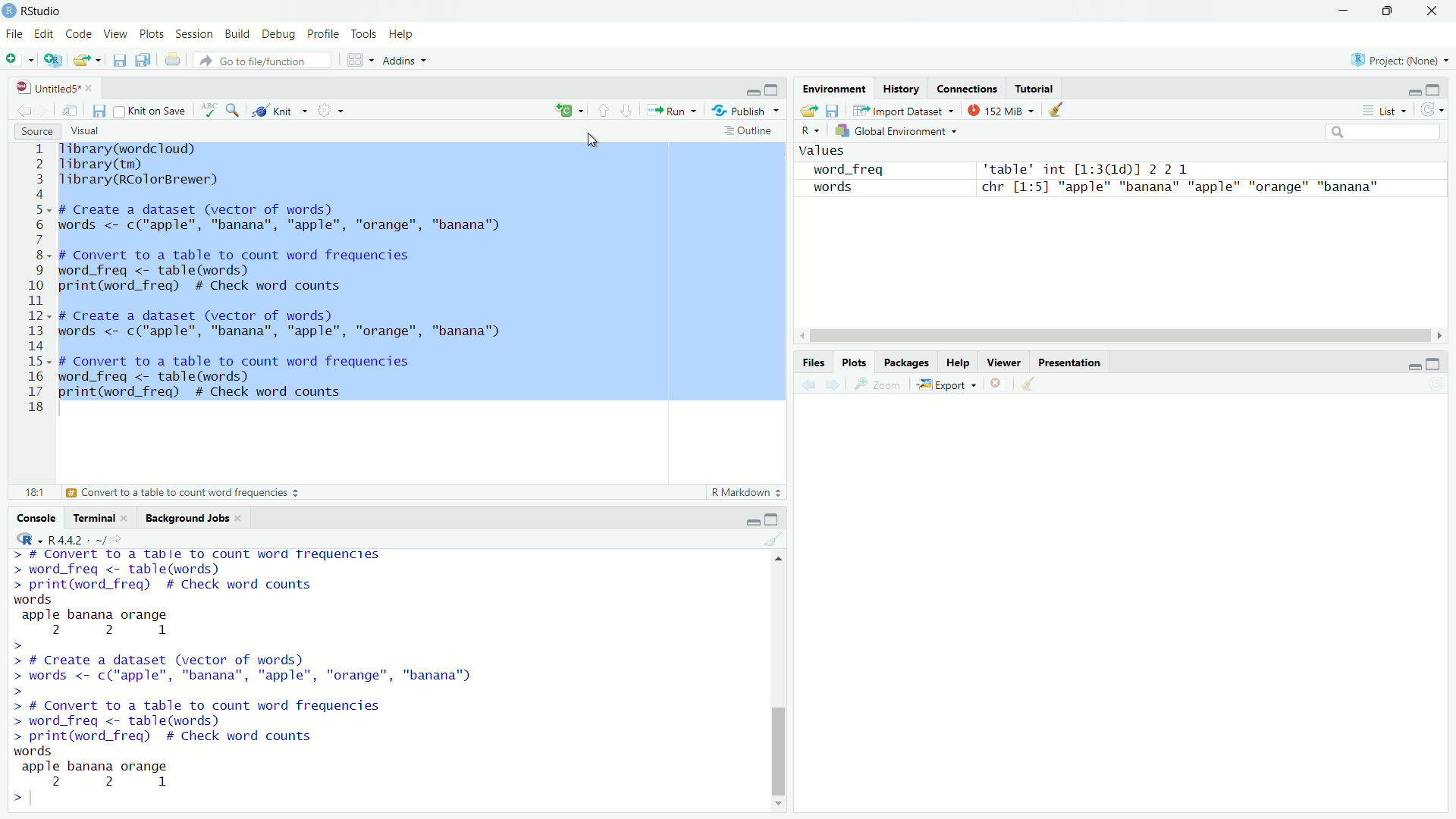  I want to click on Rstudio, so click(35, 10).